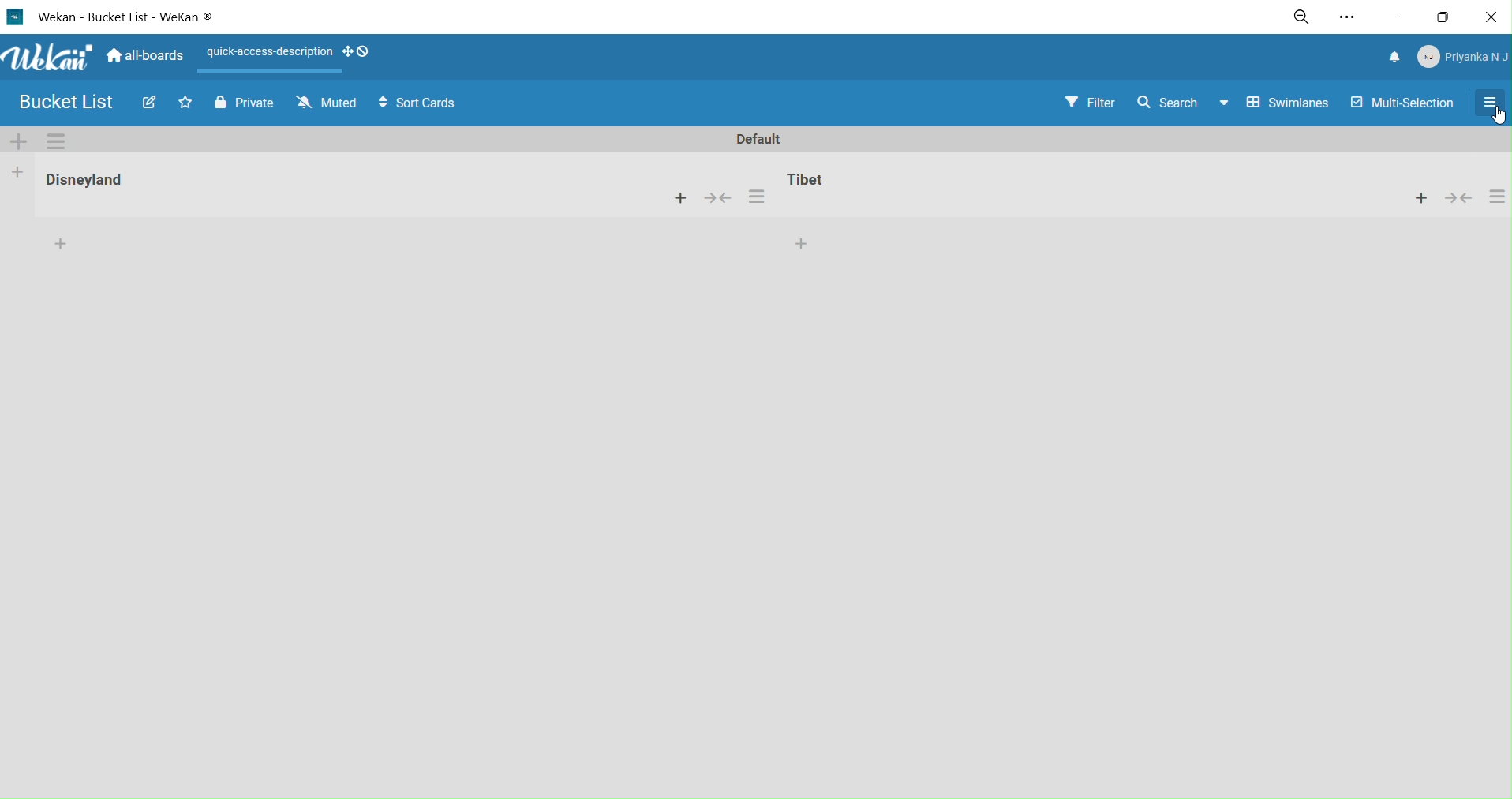 This screenshot has width=1512, height=799. What do you see at coordinates (1303, 17) in the screenshot?
I see `zoom` at bounding box center [1303, 17].